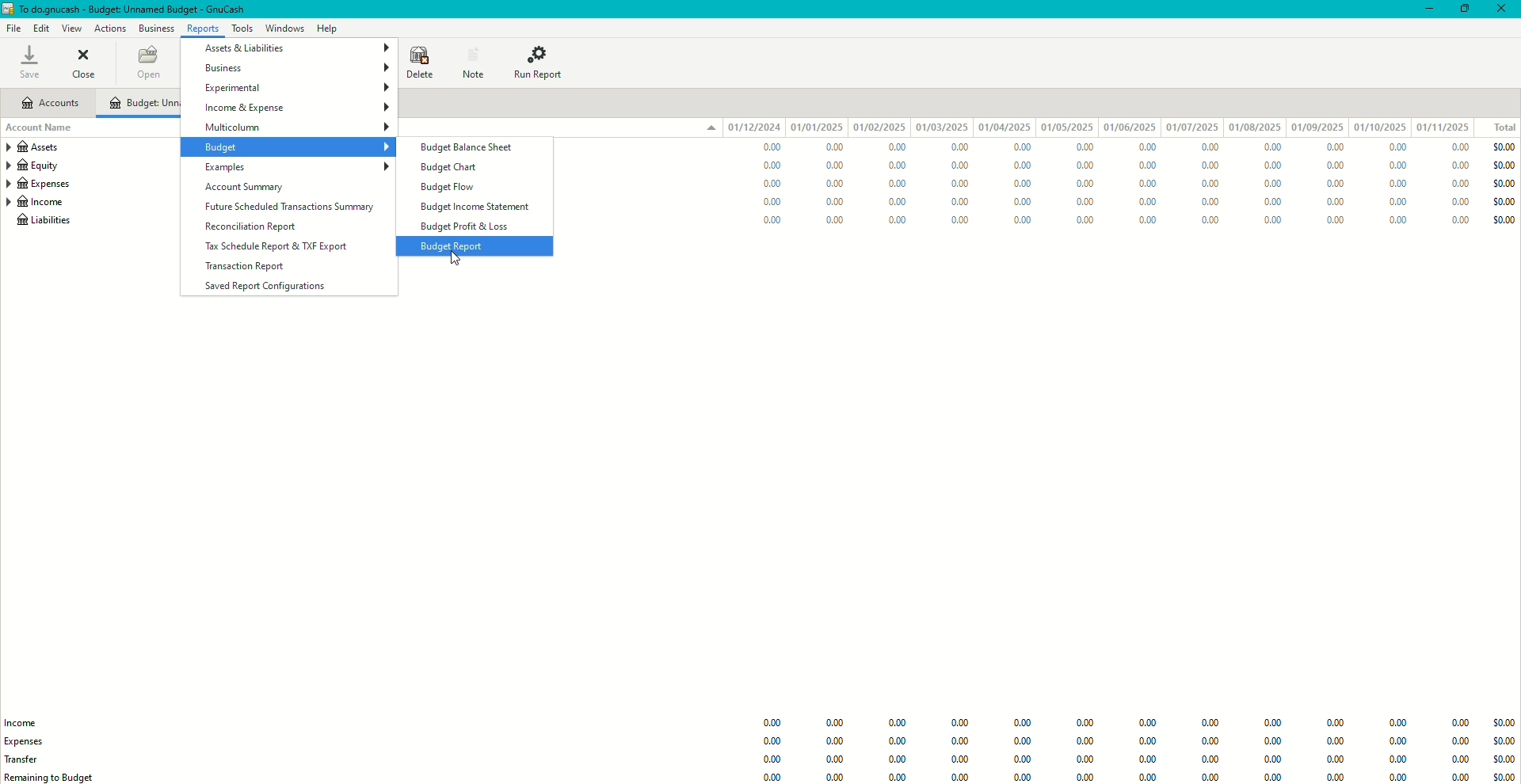 The width and height of the screenshot is (1521, 784). I want to click on 0.00, so click(1394, 760).